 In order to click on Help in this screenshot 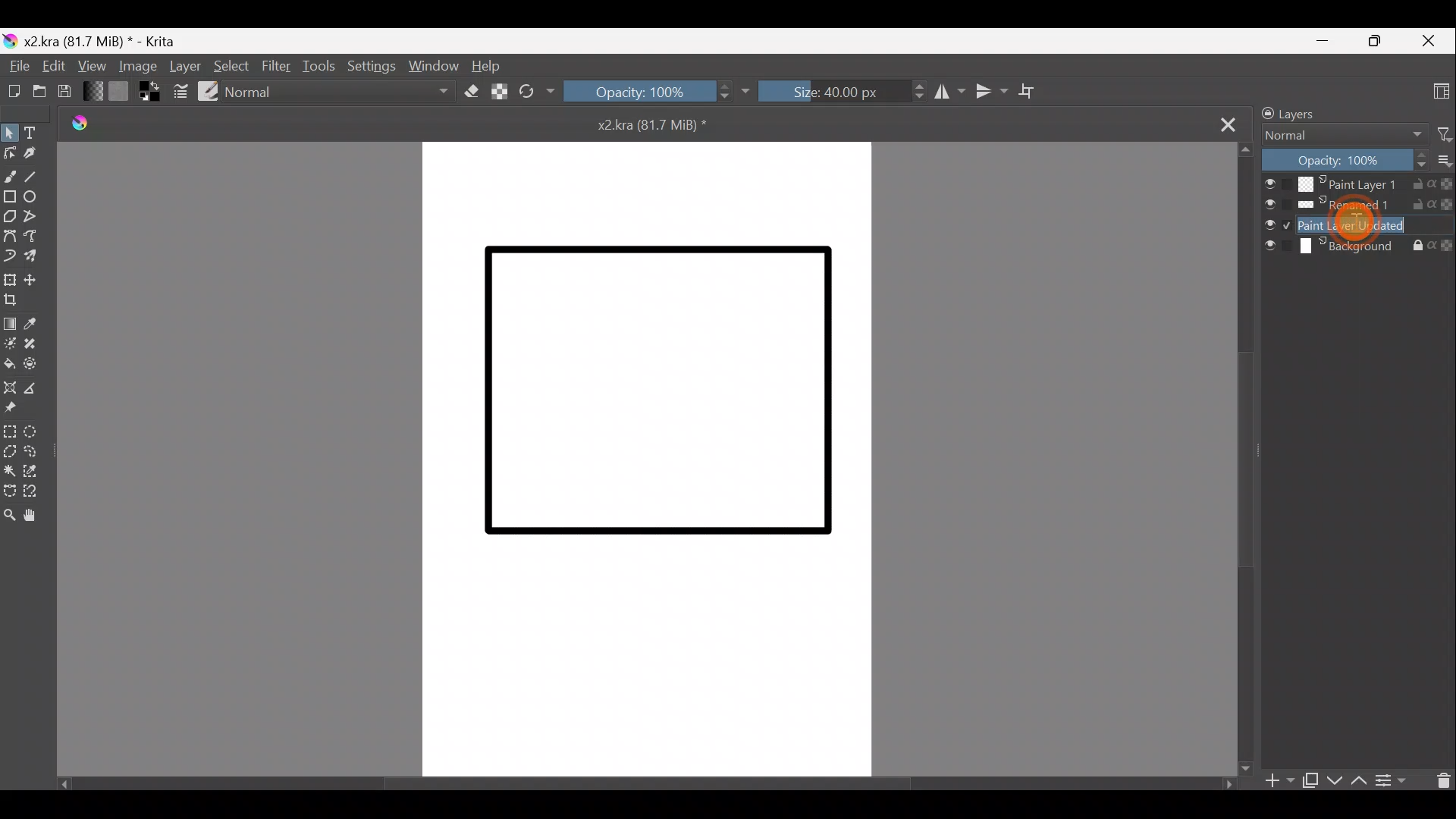, I will do `click(488, 63)`.